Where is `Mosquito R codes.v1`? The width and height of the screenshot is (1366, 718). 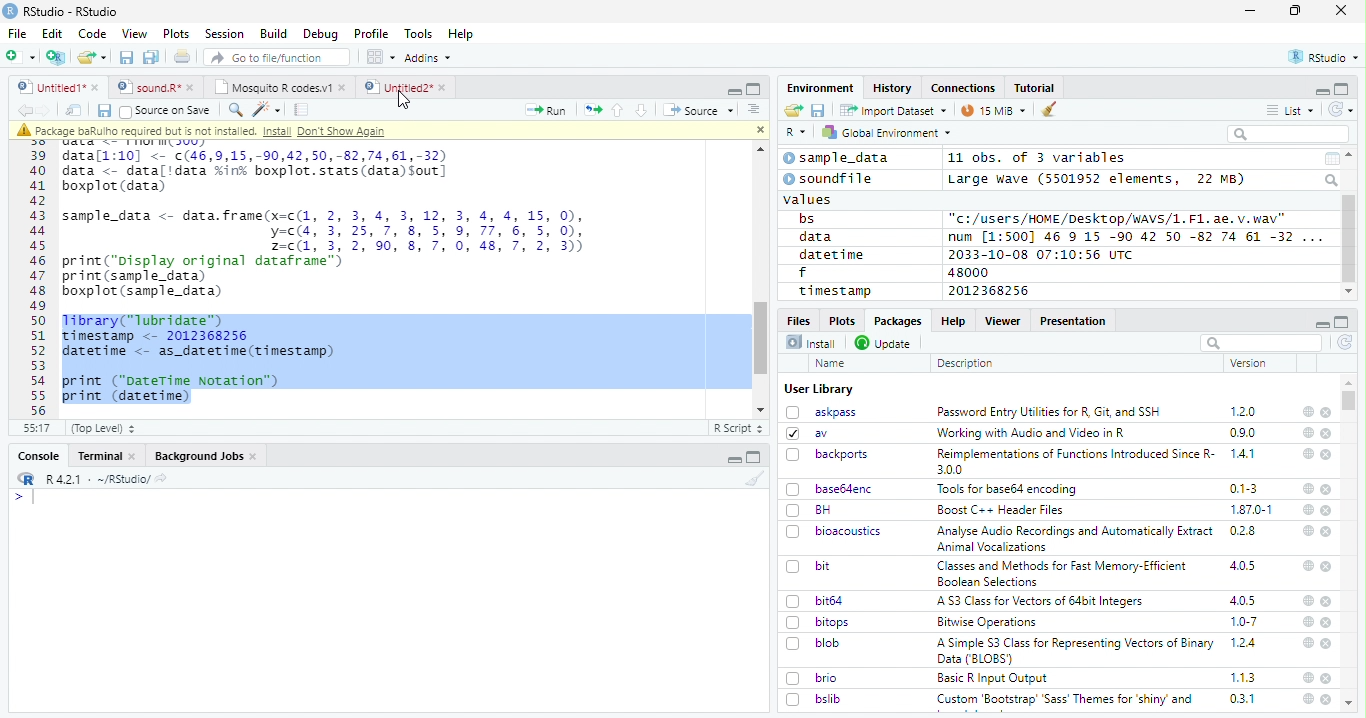
Mosquito R codes.v1 is located at coordinates (279, 87).